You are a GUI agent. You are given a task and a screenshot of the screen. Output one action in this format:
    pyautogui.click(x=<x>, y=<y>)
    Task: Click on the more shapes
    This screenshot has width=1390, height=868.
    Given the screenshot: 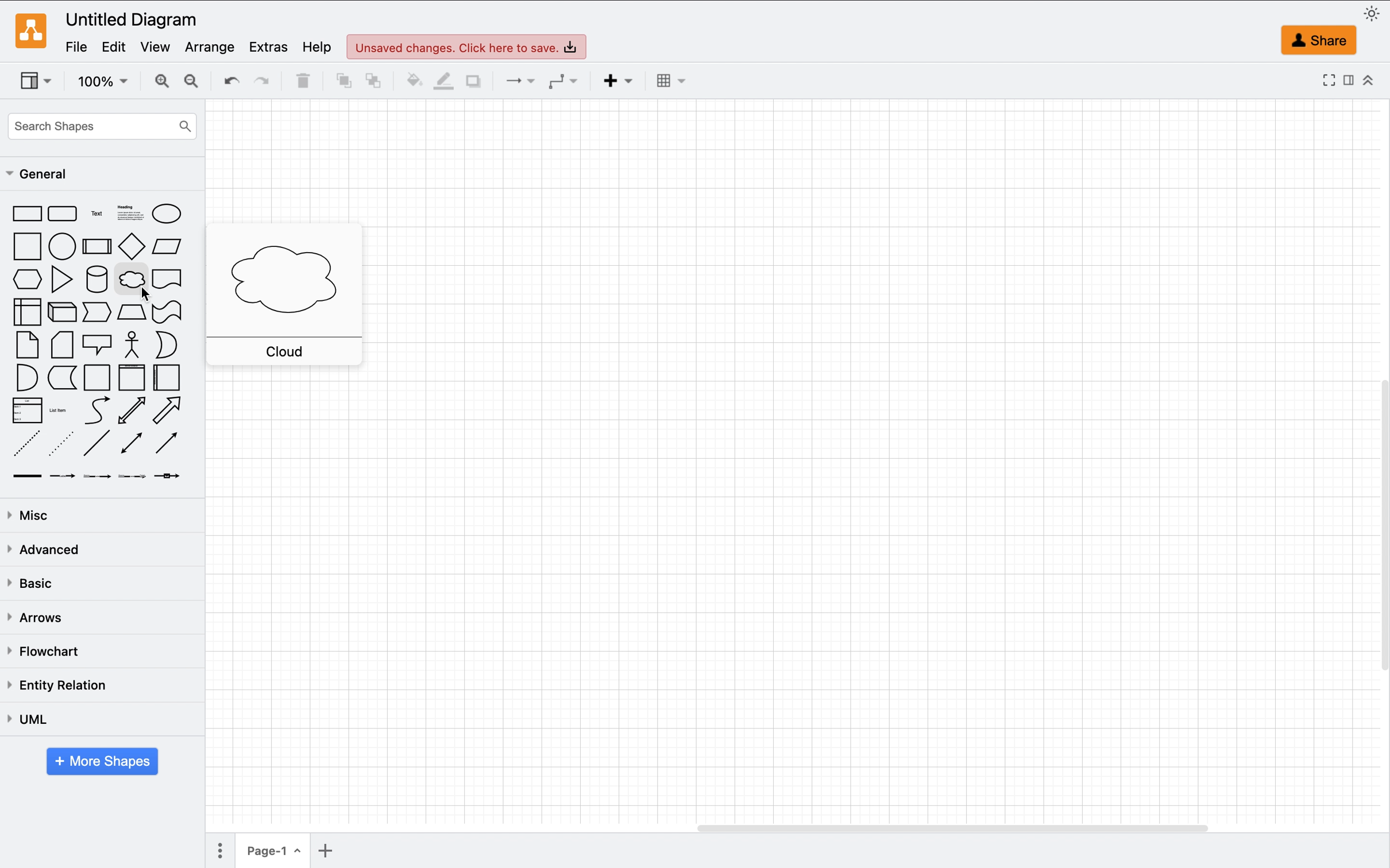 What is the action you would take?
    pyautogui.click(x=98, y=761)
    